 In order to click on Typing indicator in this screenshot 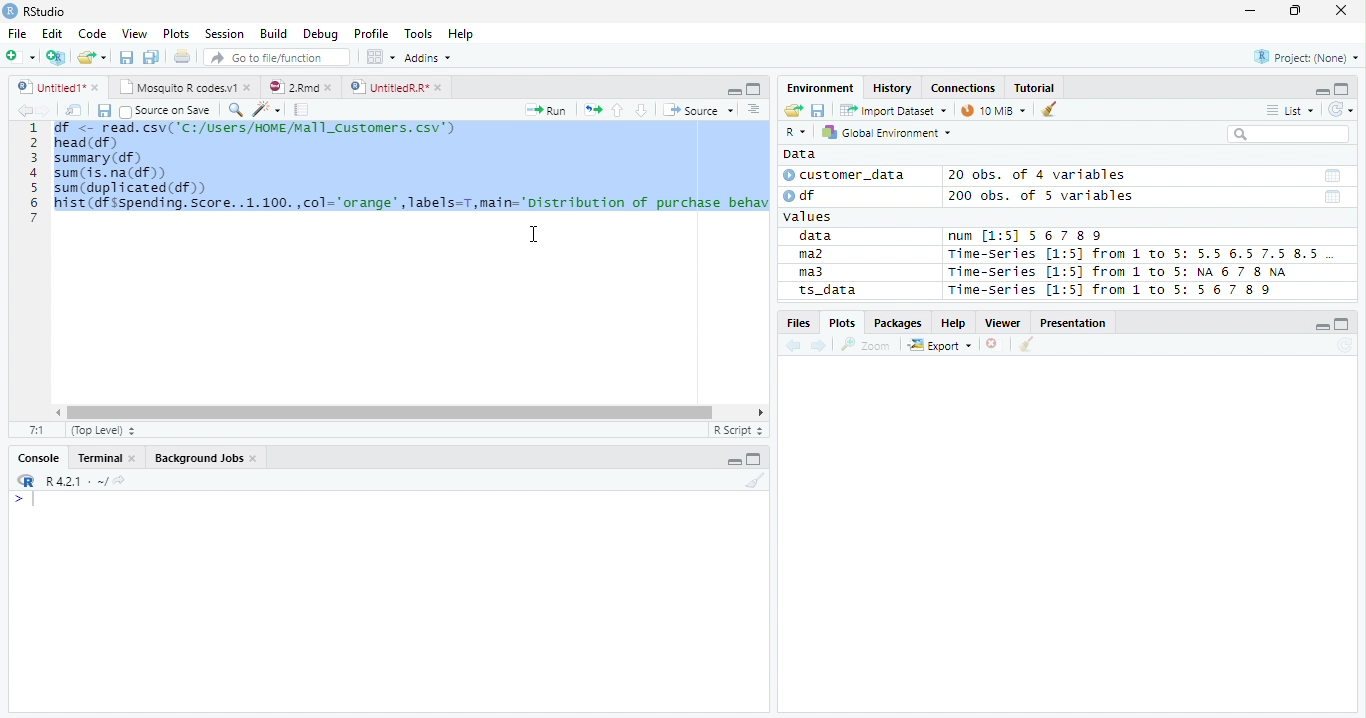, I will do `click(33, 500)`.